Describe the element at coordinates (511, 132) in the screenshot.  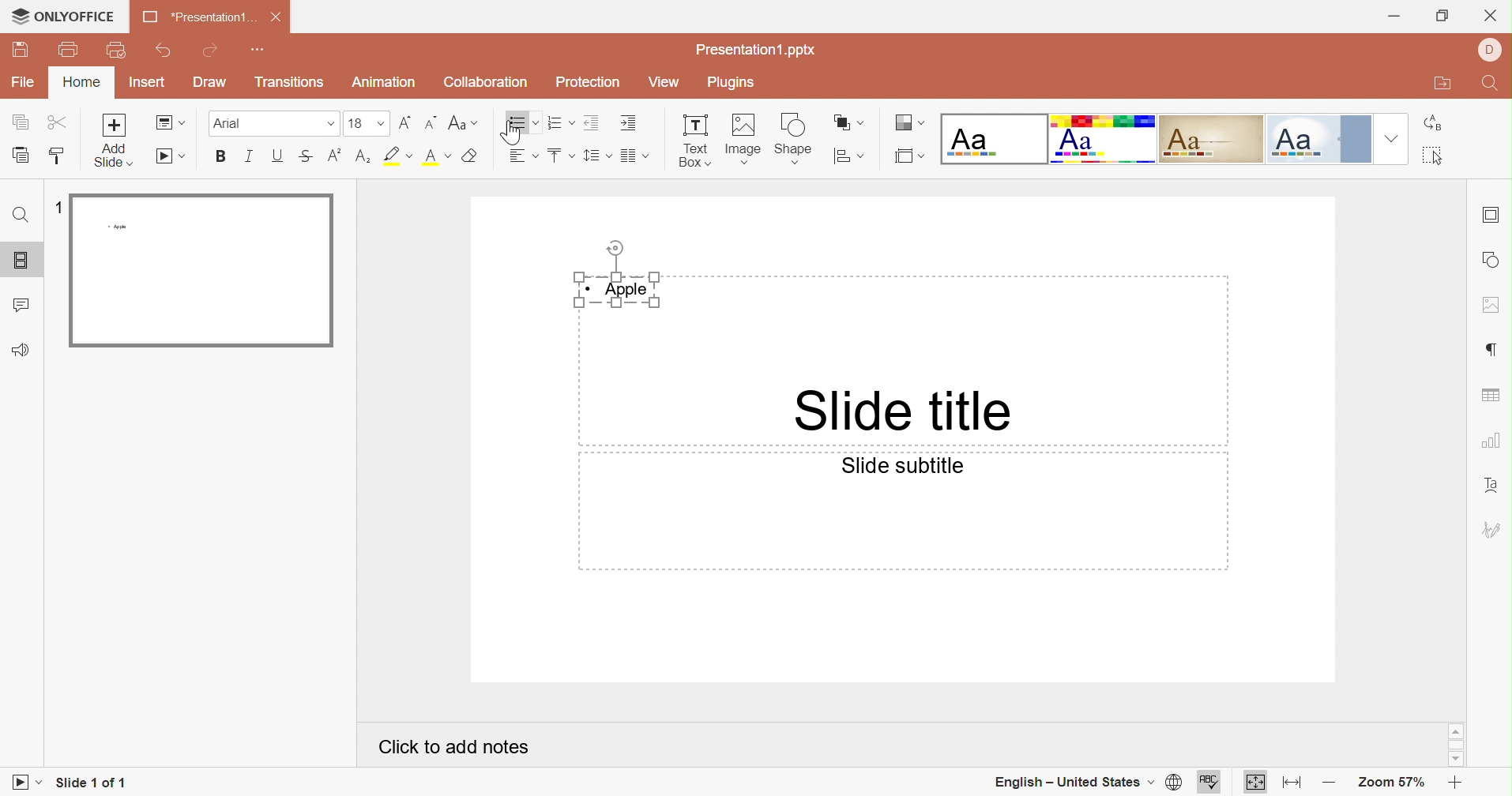
I see `Cursor` at that location.